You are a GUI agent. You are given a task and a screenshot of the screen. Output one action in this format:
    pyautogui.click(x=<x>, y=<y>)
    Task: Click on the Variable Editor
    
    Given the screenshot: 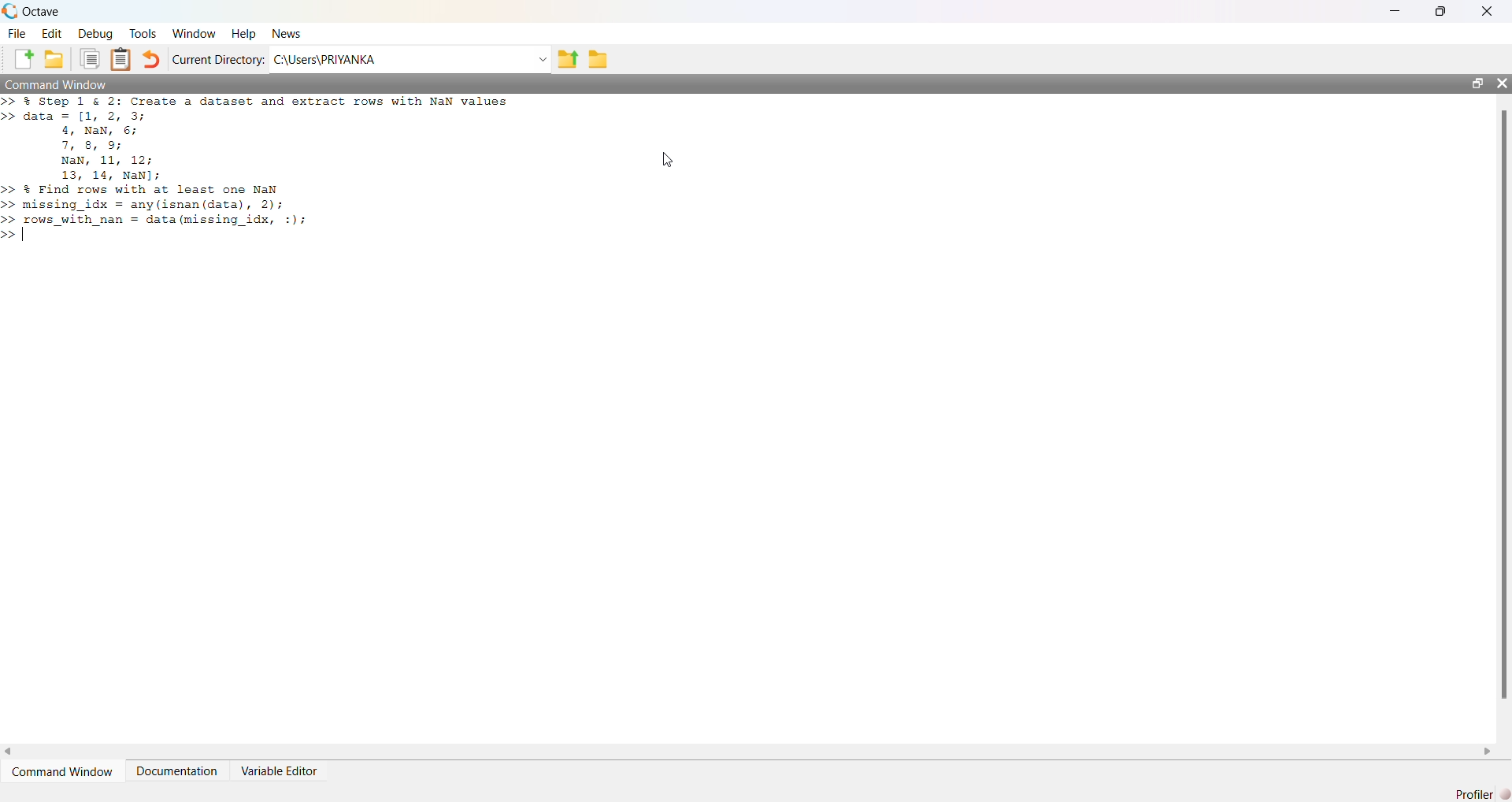 What is the action you would take?
    pyautogui.click(x=278, y=771)
    